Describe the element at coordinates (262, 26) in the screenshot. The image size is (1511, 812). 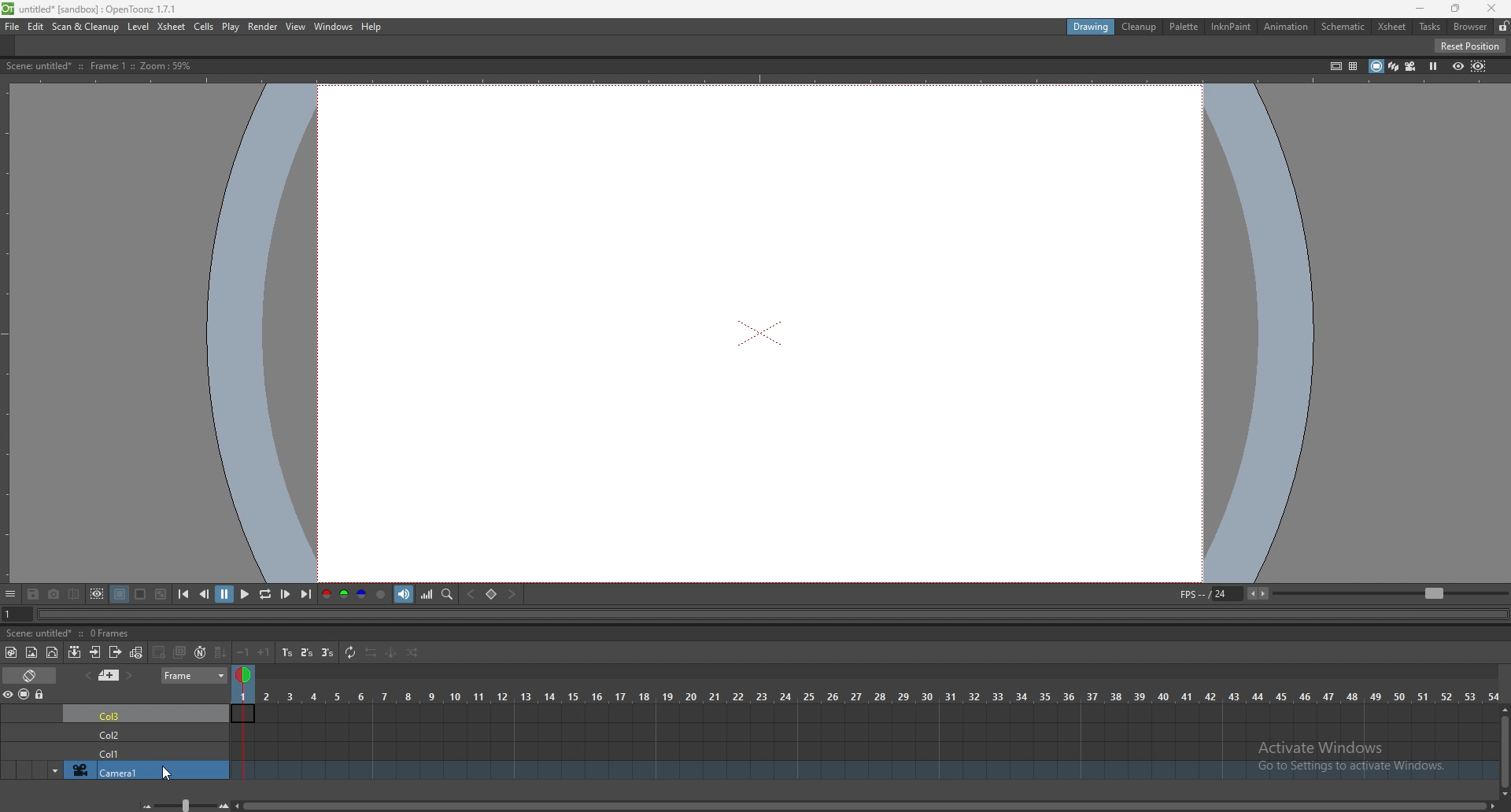
I see `render` at that location.